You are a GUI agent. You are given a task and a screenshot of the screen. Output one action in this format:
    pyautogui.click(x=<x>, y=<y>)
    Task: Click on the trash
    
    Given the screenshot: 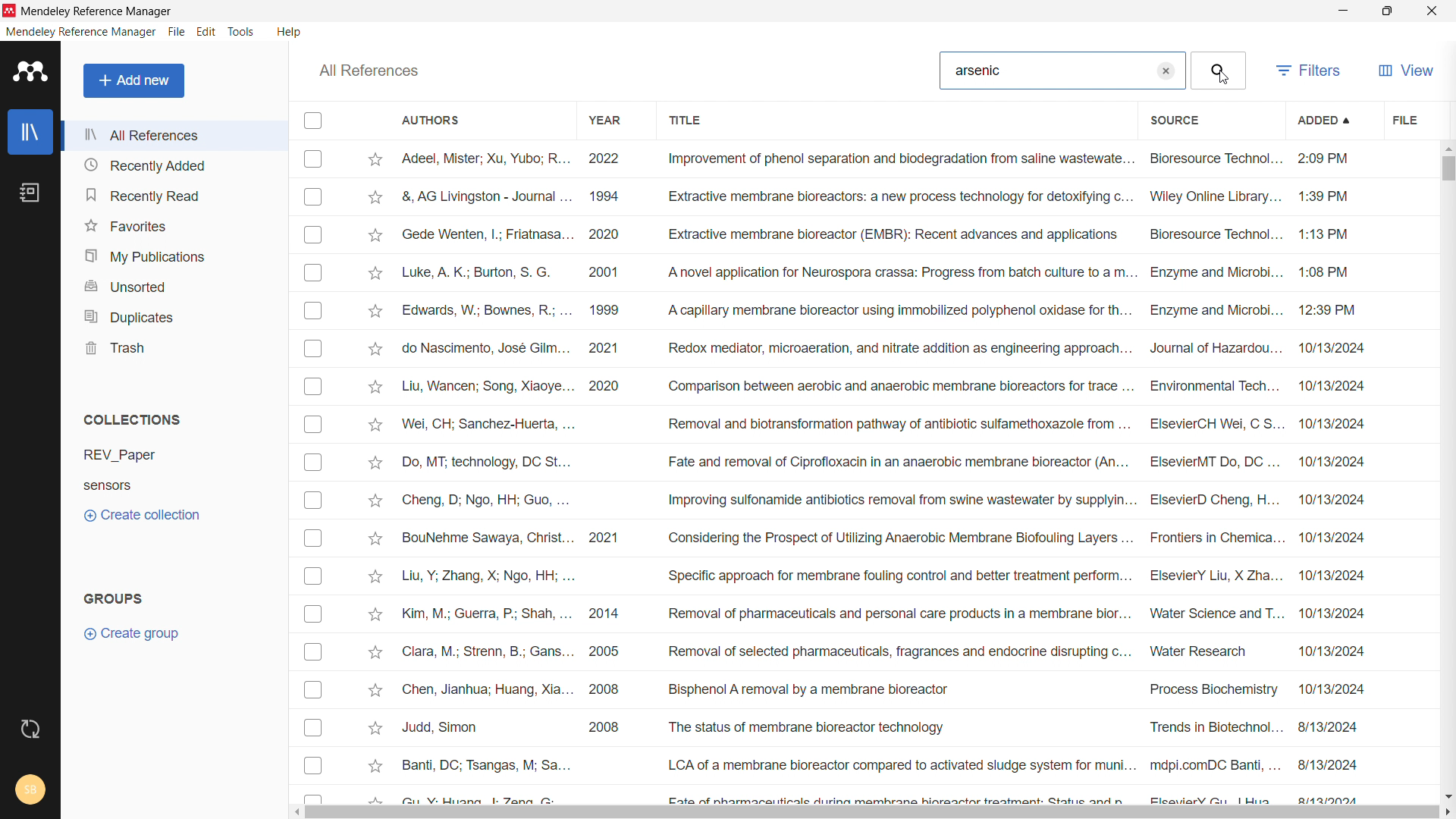 What is the action you would take?
    pyautogui.click(x=173, y=348)
    